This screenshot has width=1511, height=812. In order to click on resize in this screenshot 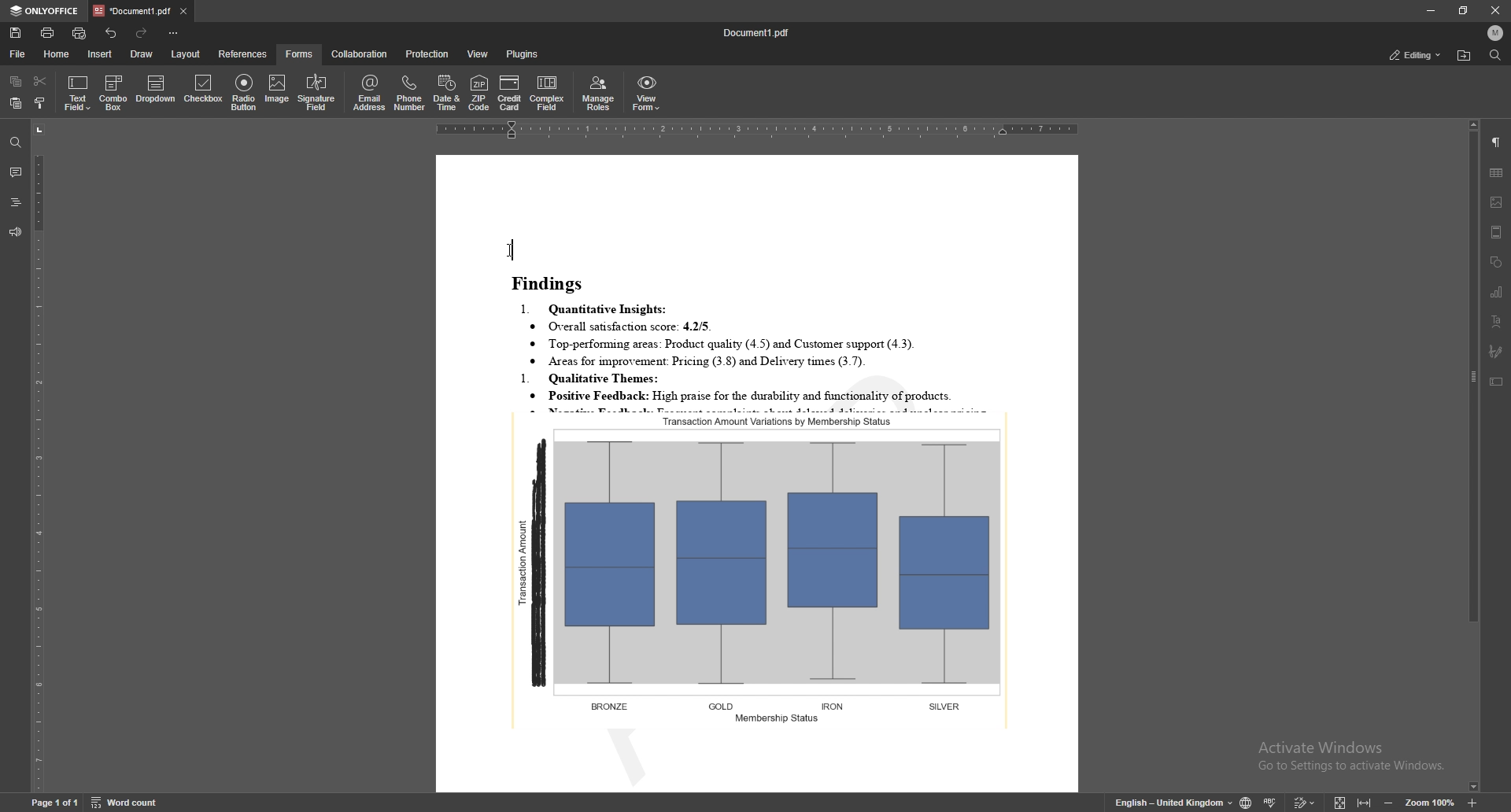, I will do `click(1463, 10)`.